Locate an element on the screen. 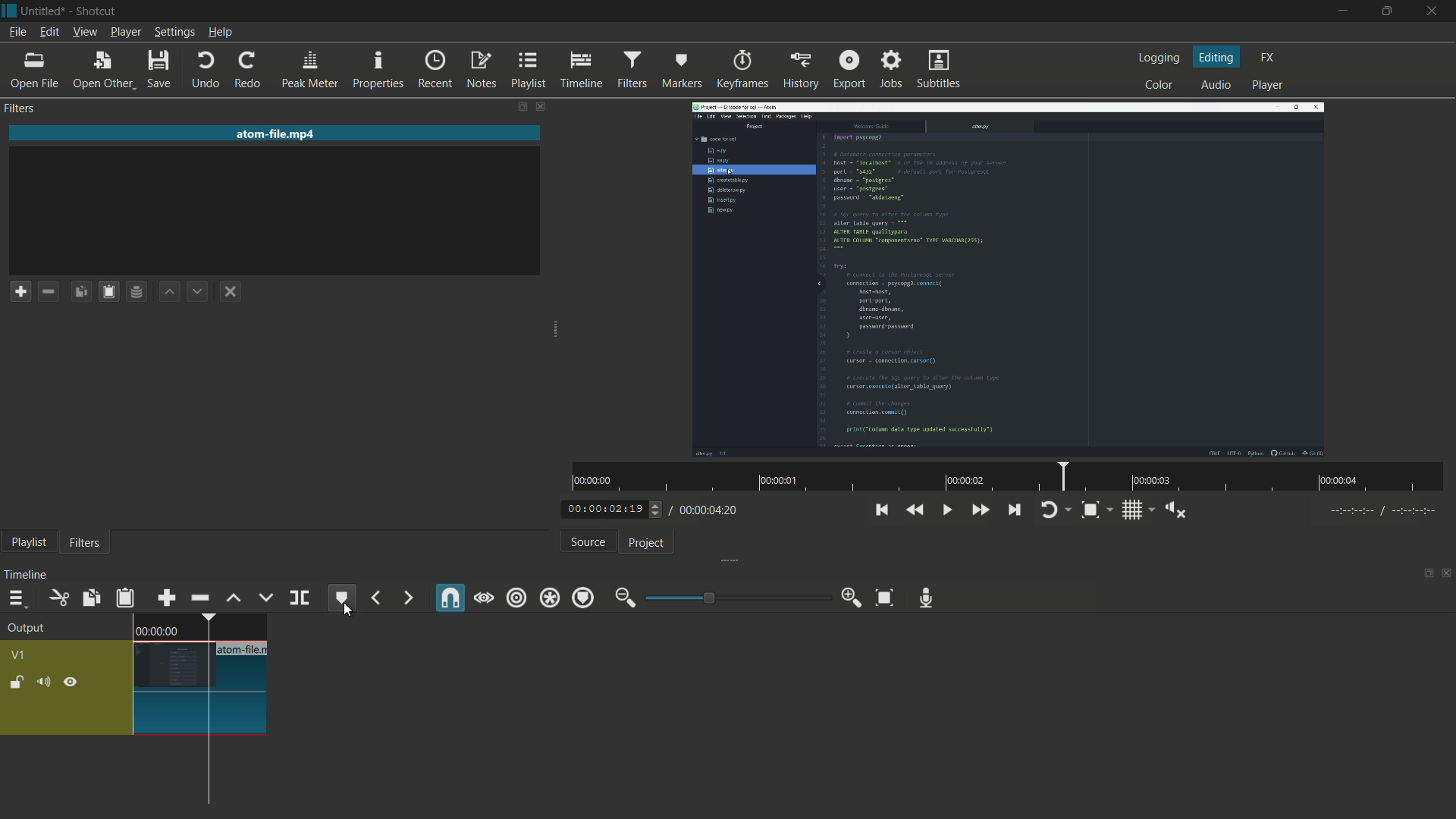 The width and height of the screenshot is (1456, 819). close timeline is located at coordinates (1447, 573).